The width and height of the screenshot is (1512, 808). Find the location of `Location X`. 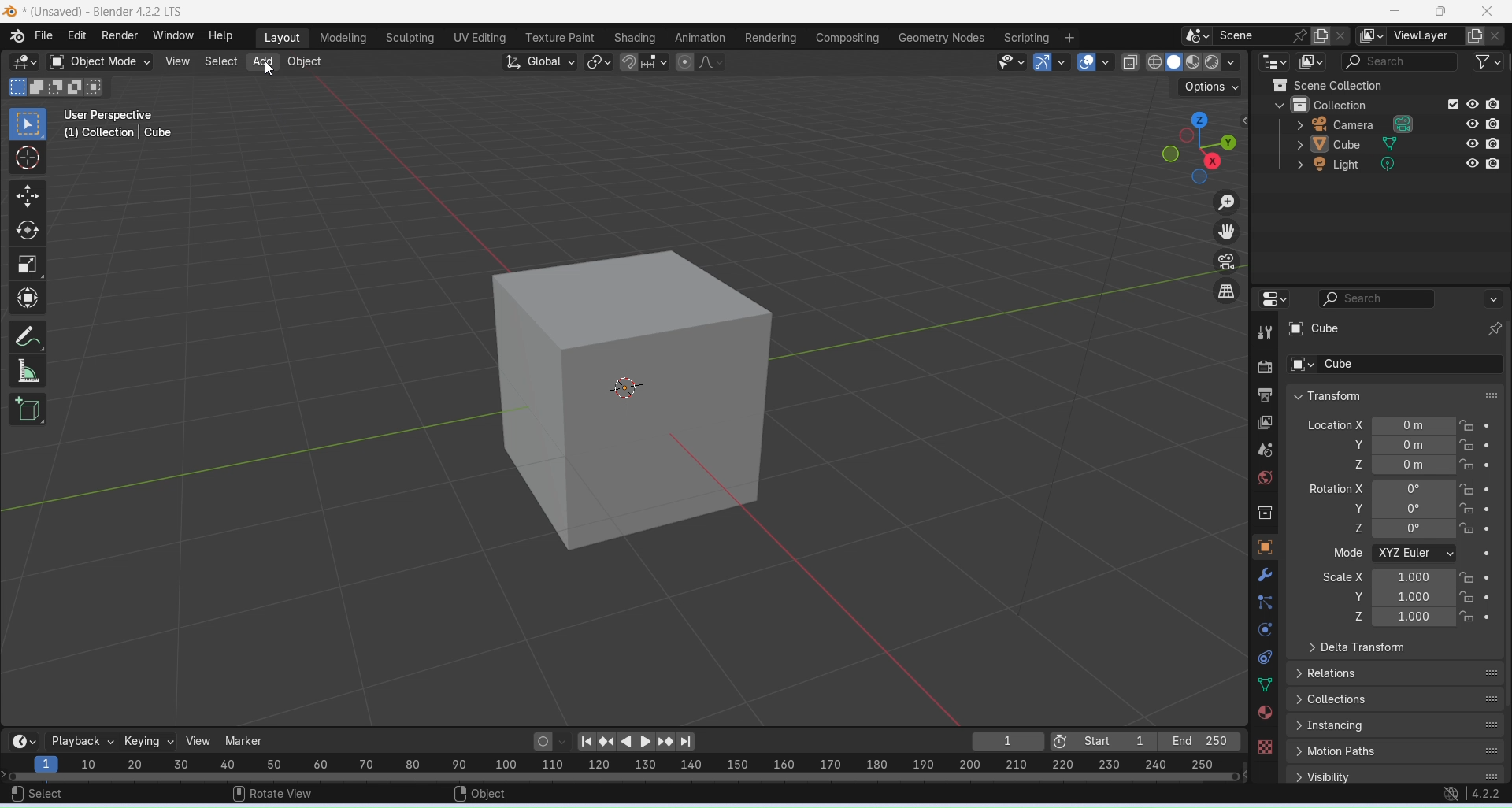

Location X is located at coordinates (1335, 424).